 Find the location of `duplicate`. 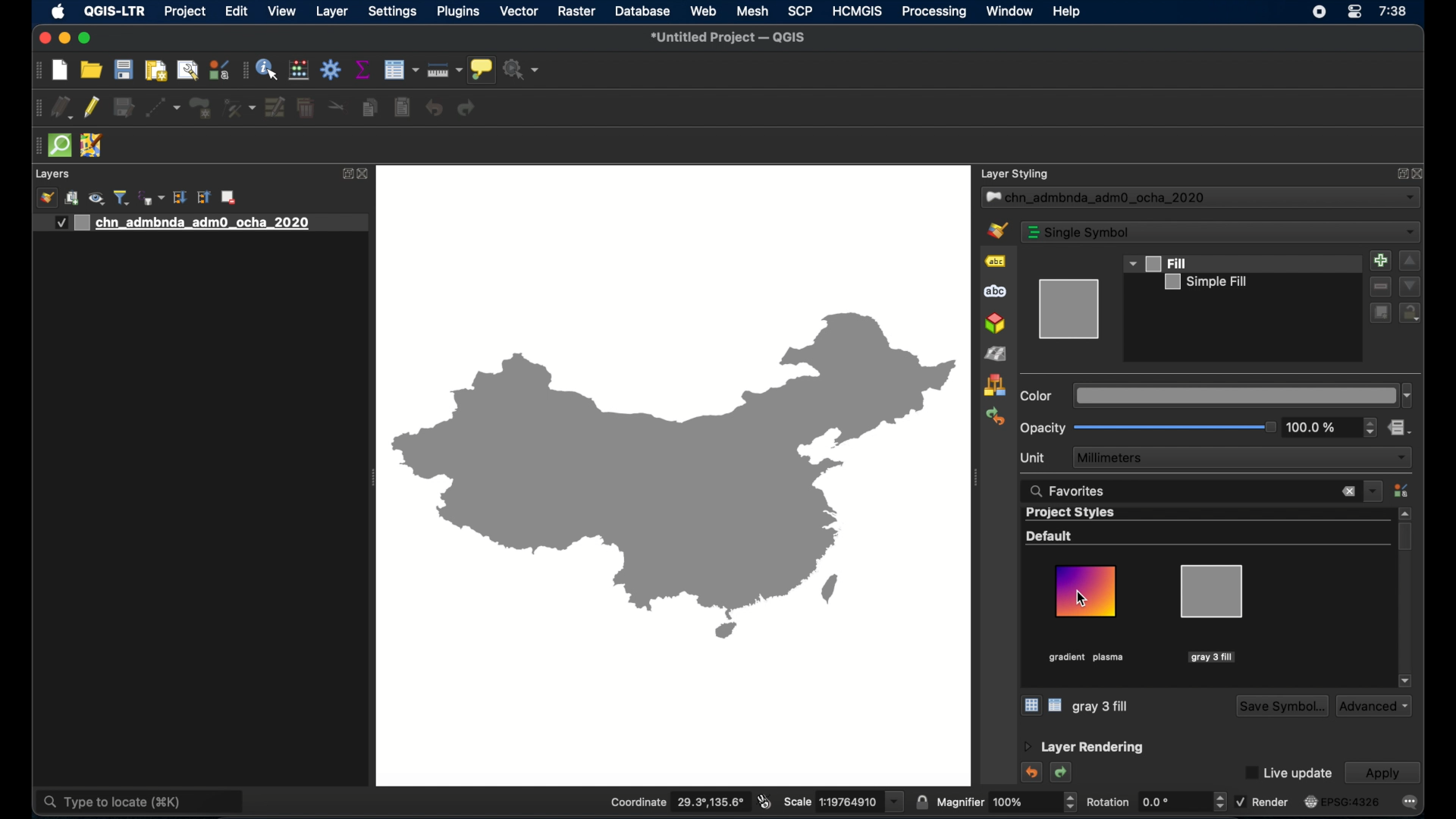

duplicate is located at coordinates (1380, 315).